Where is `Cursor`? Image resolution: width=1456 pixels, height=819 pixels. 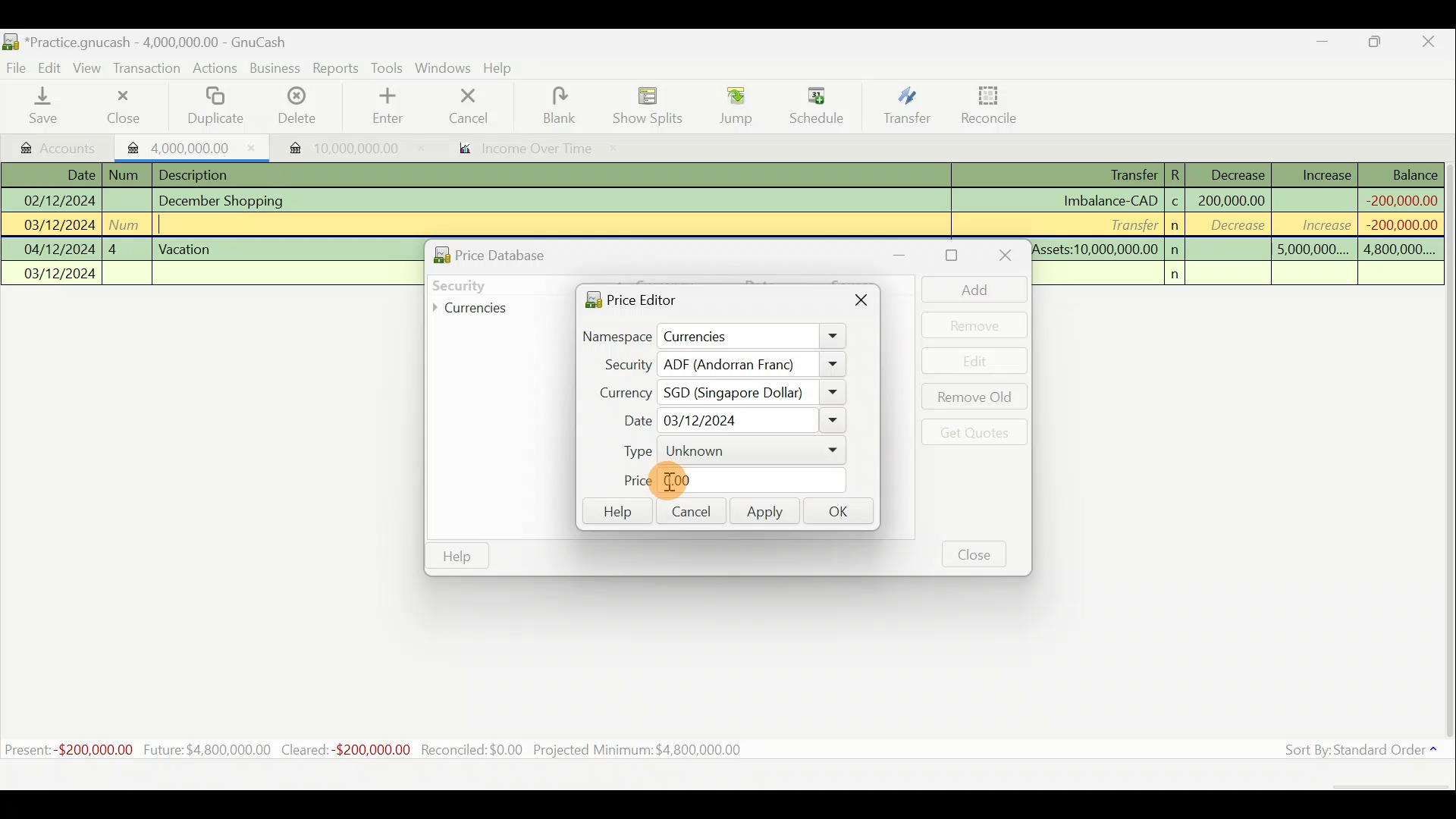
Cursor is located at coordinates (671, 482).